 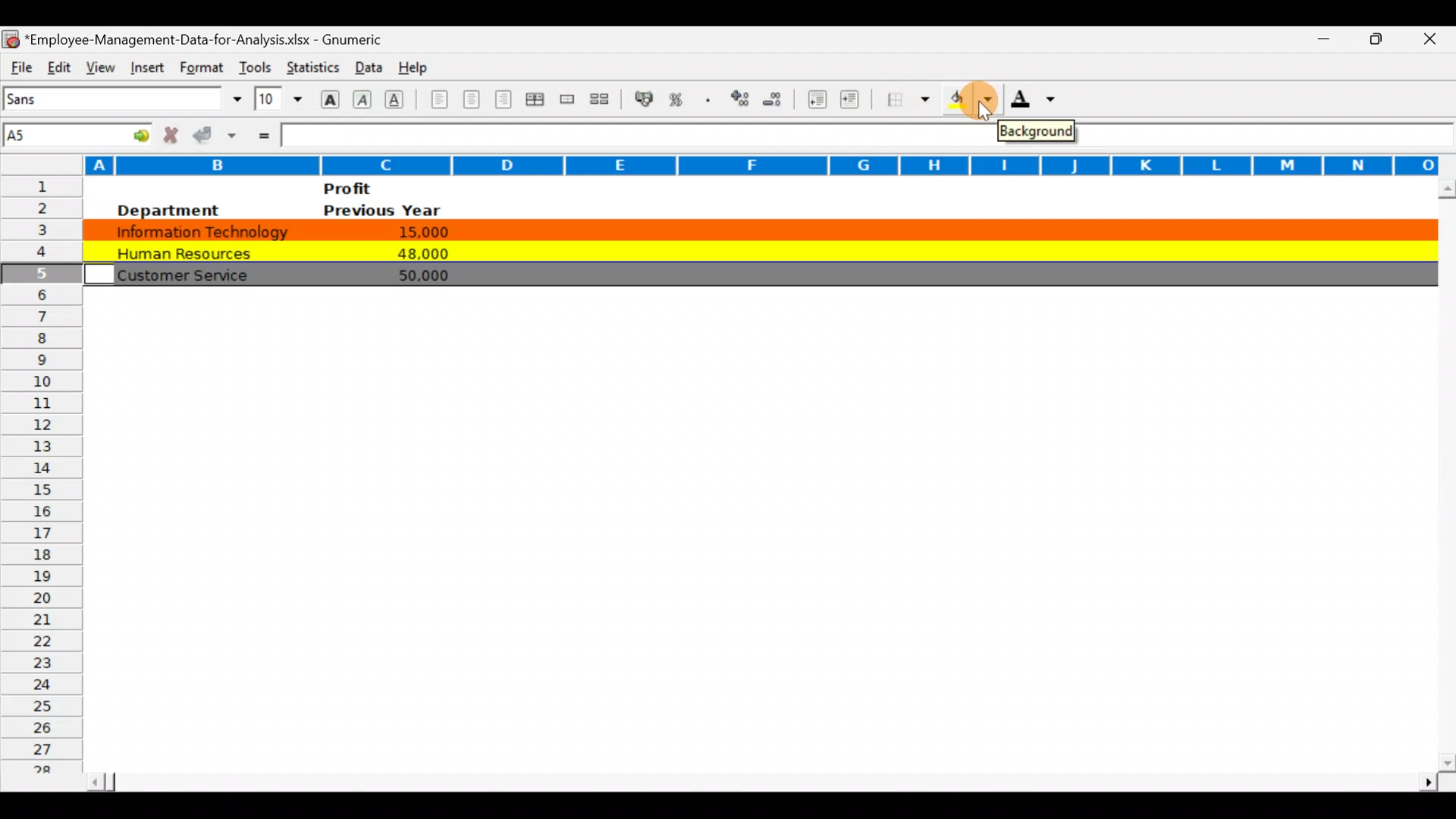 What do you see at coordinates (759, 777) in the screenshot?
I see `Scroll bar` at bounding box center [759, 777].